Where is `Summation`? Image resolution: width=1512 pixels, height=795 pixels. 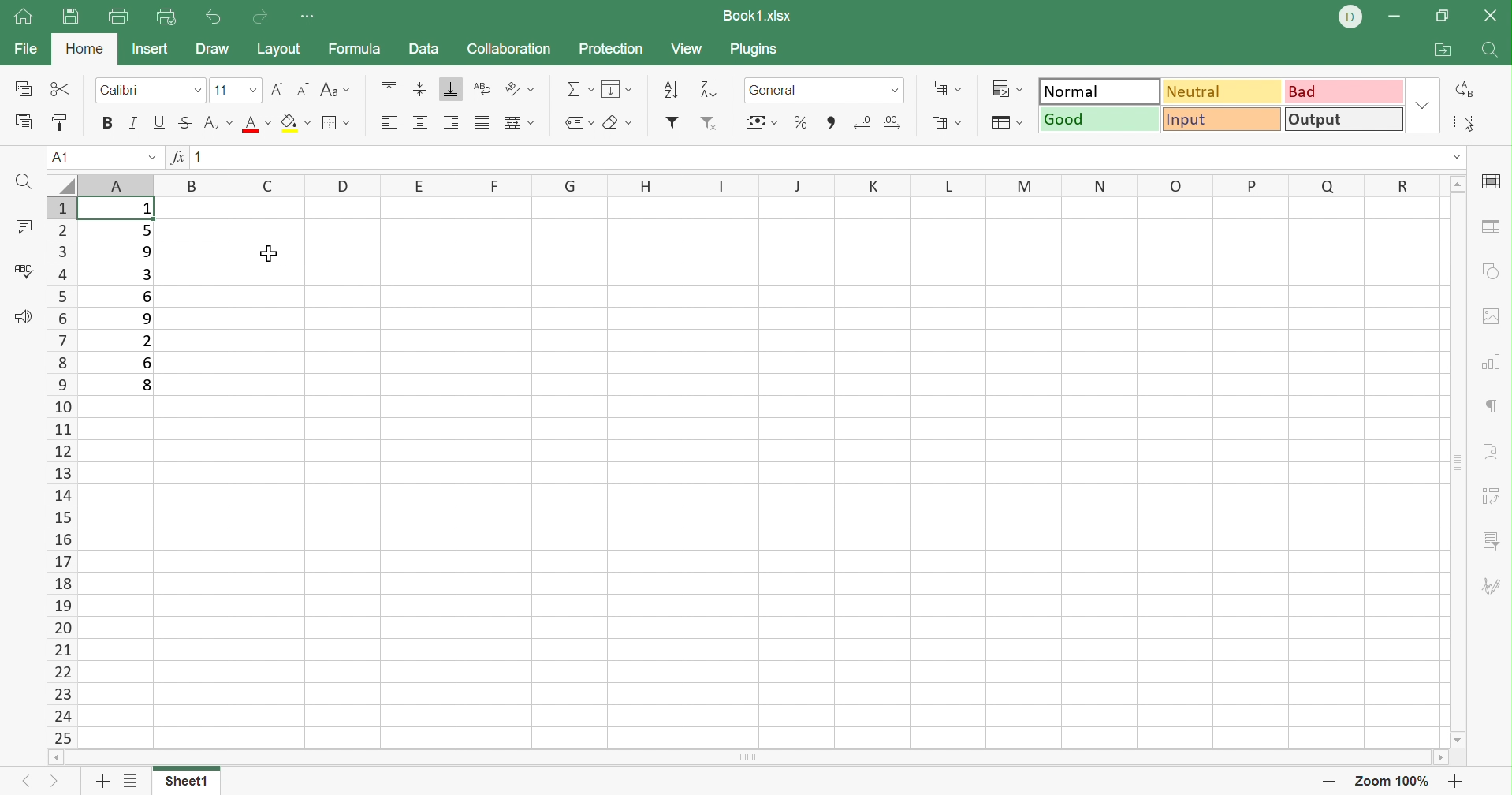
Summation is located at coordinates (578, 90).